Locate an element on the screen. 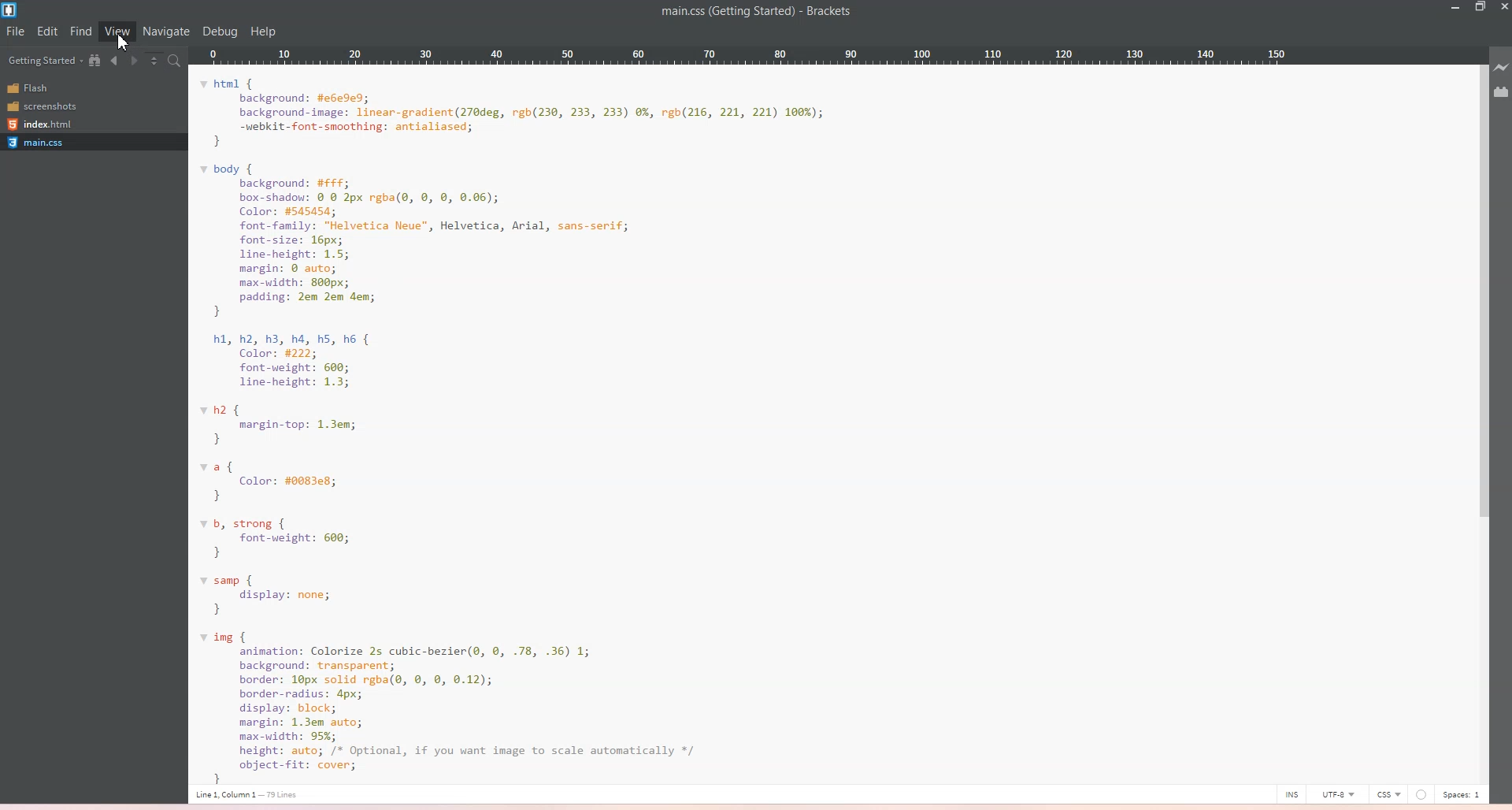 The width and height of the screenshot is (1512, 810). Split the view vertically and Horizontally is located at coordinates (154, 61).